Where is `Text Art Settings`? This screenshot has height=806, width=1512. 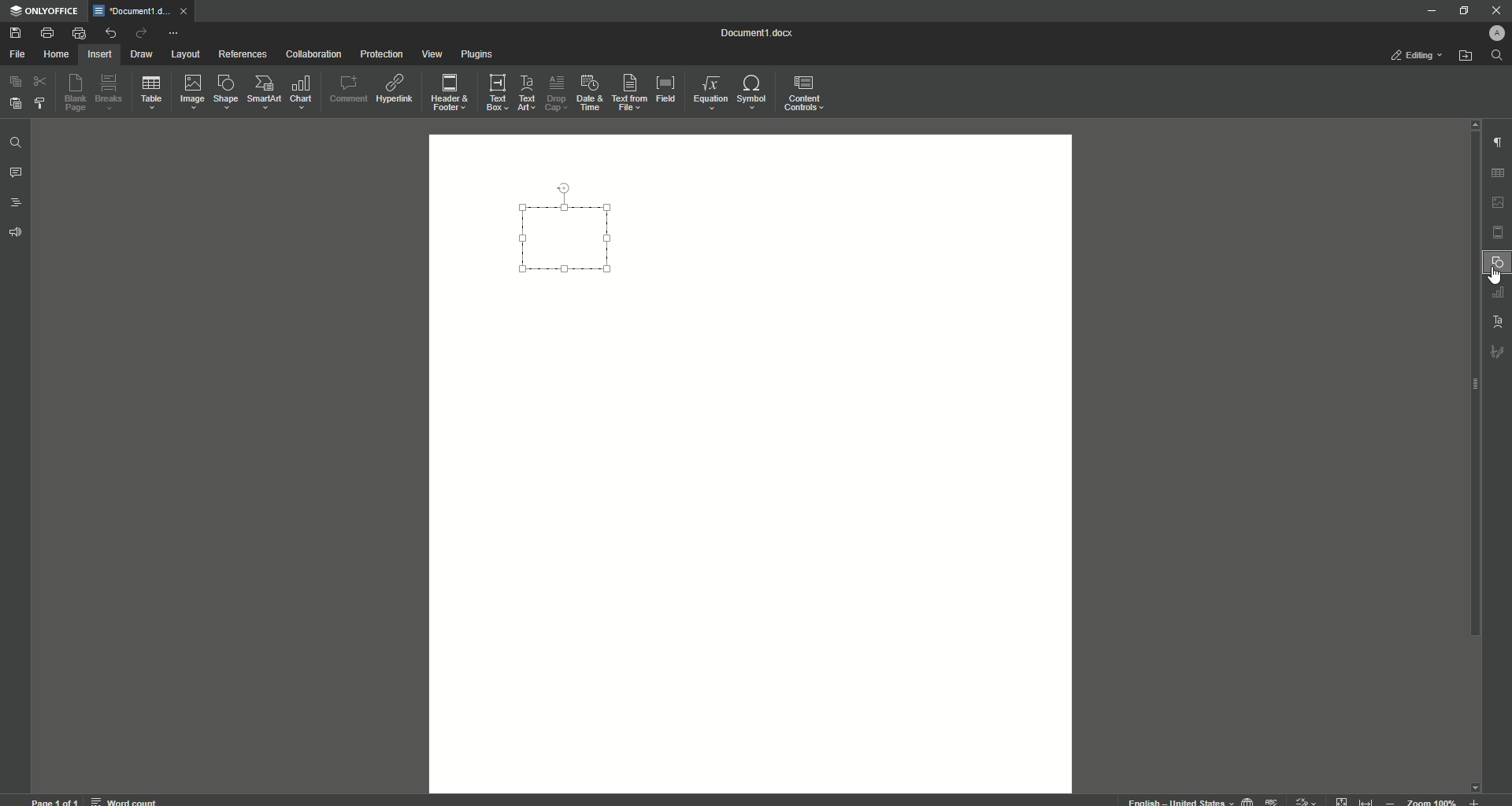 Text Art Settings is located at coordinates (1495, 320).